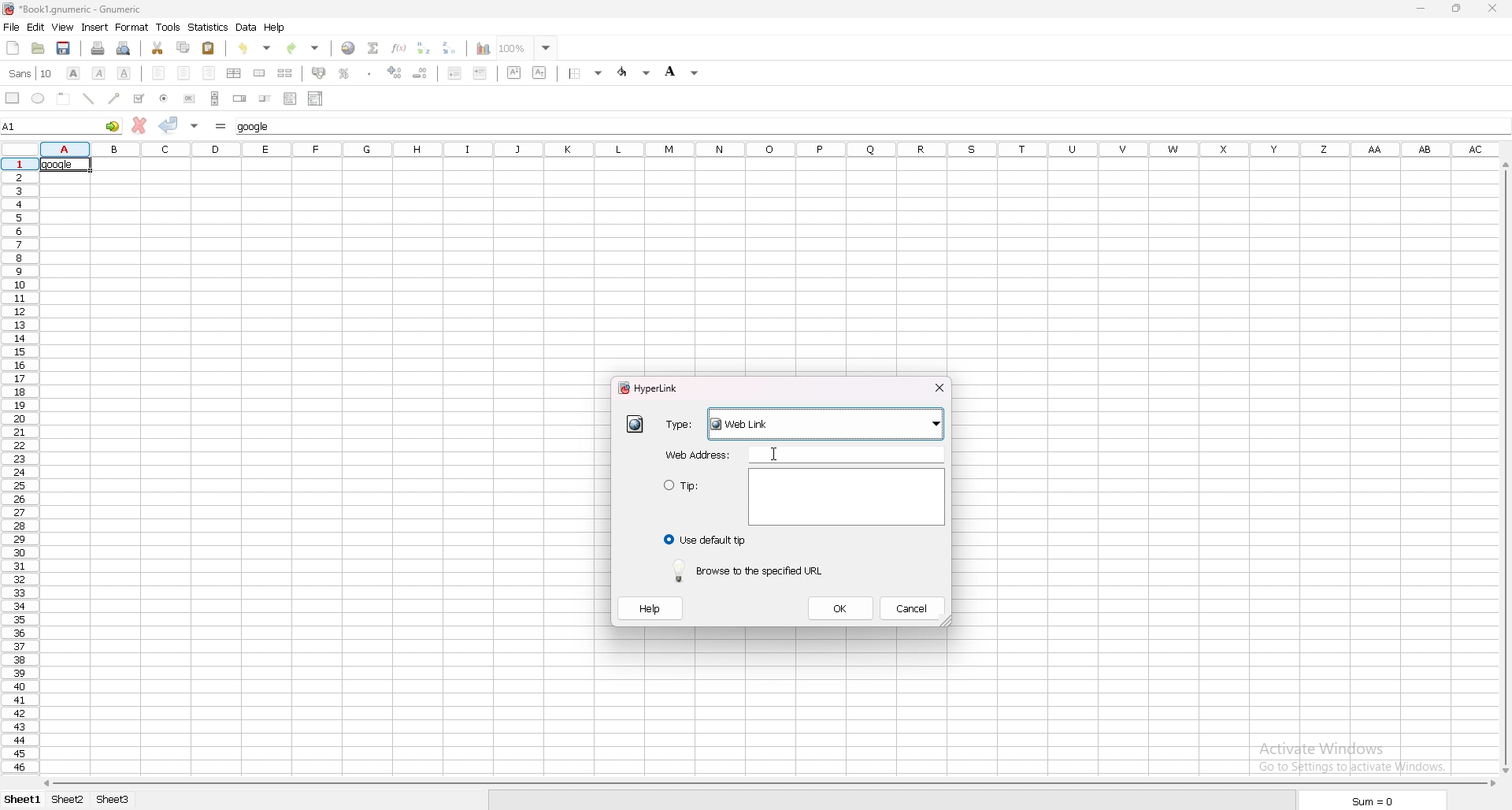  I want to click on Sheet 2, so click(69, 800).